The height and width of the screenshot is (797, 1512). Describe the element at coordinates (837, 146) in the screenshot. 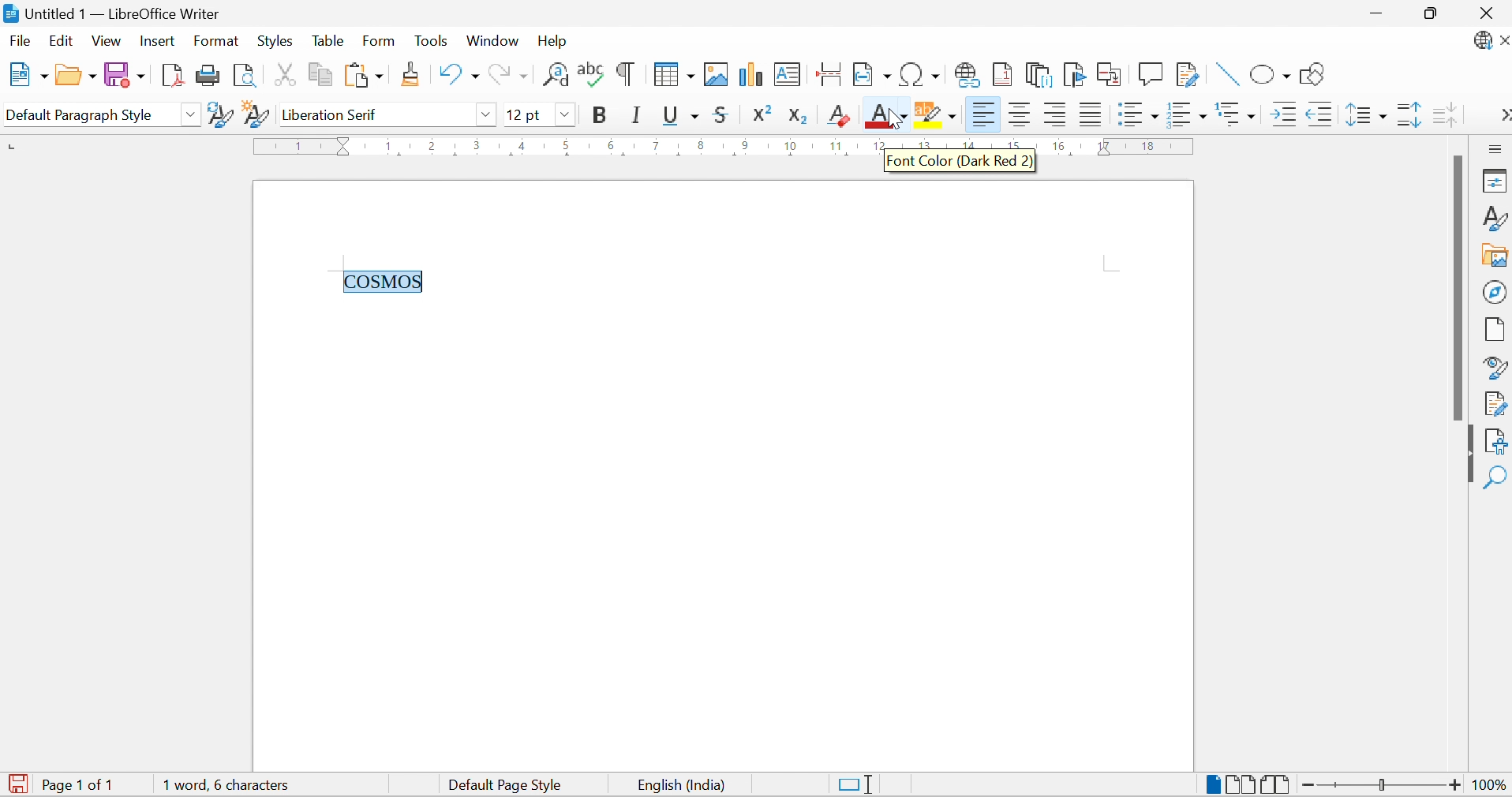

I see `11` at that location.